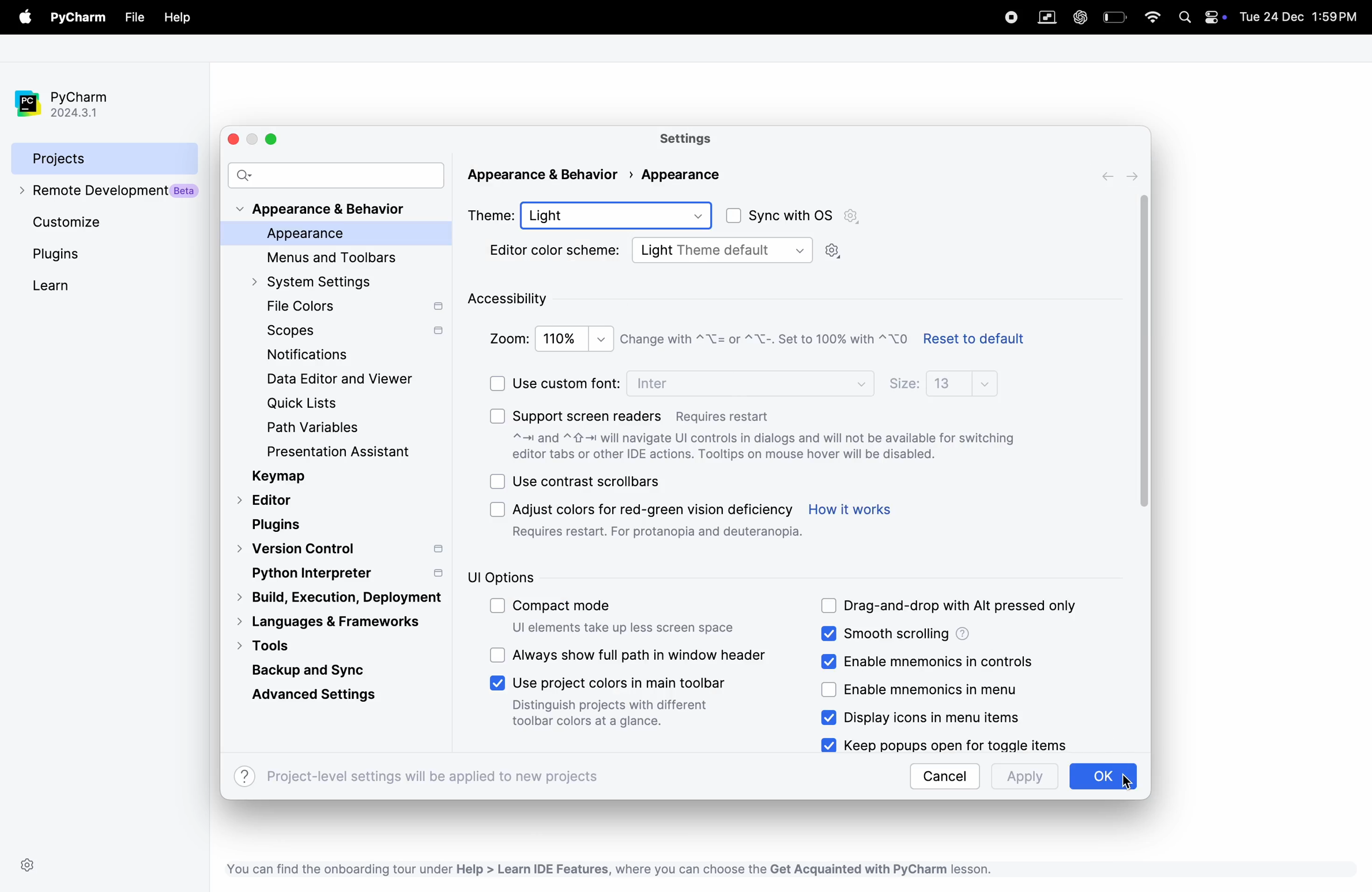  Describe the element at coordinates (578, 608) in the screenshot. I see `compact mode` at that location.